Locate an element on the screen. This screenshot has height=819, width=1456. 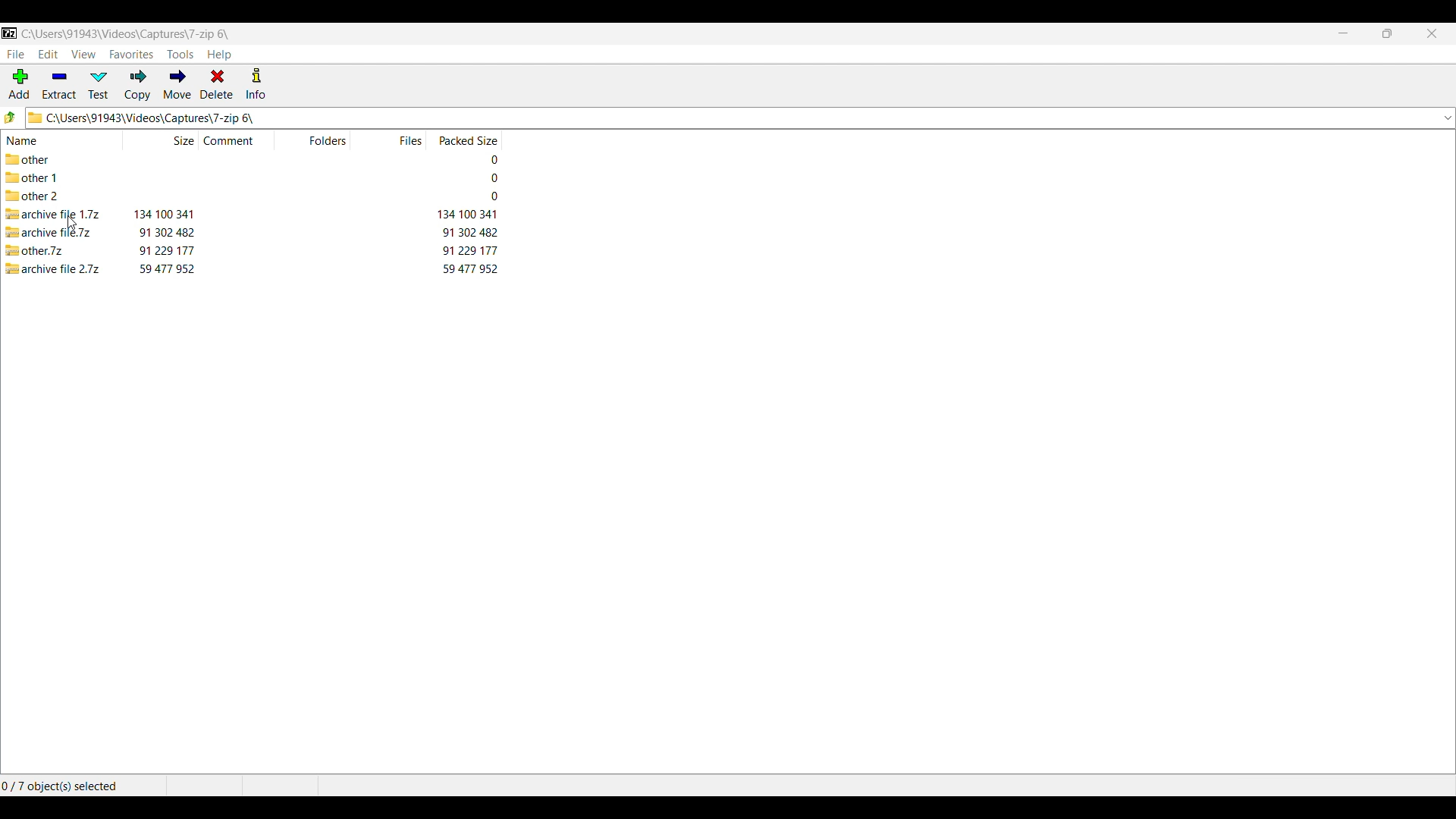
Folders is located at coordinates (329, 139).